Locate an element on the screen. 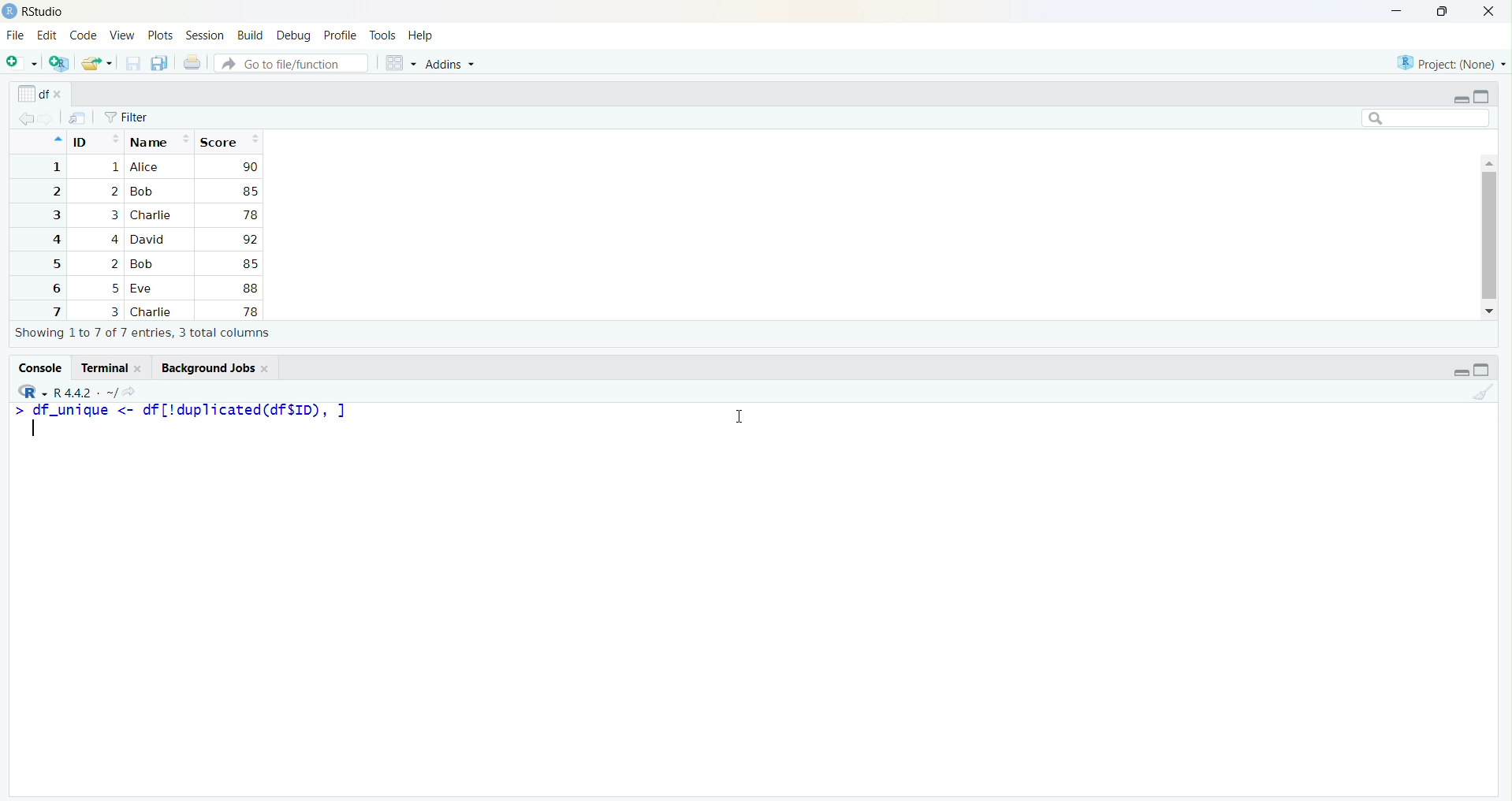  up is located at coordinates (56, 140).